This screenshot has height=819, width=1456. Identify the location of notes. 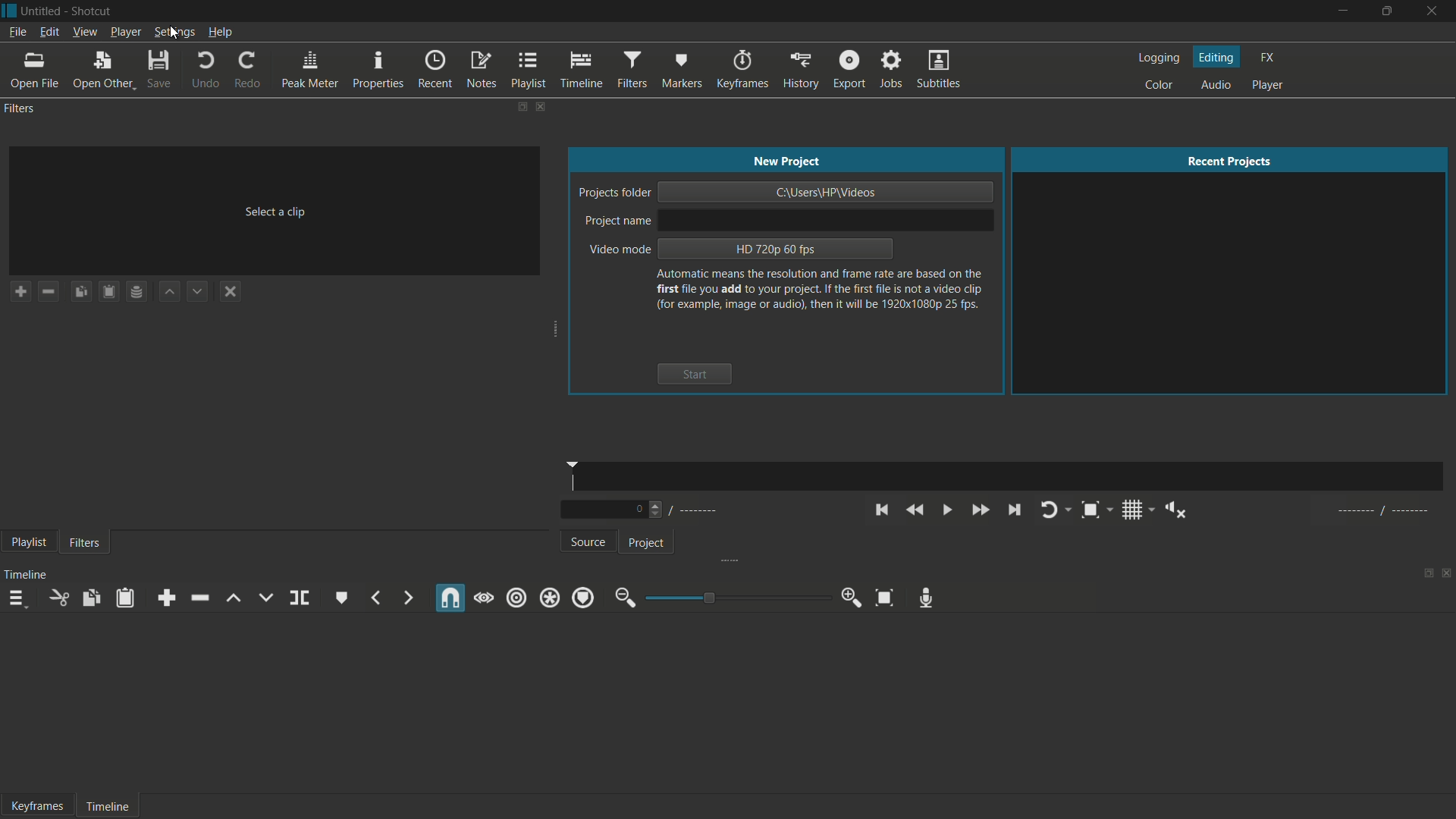
(481, 71).